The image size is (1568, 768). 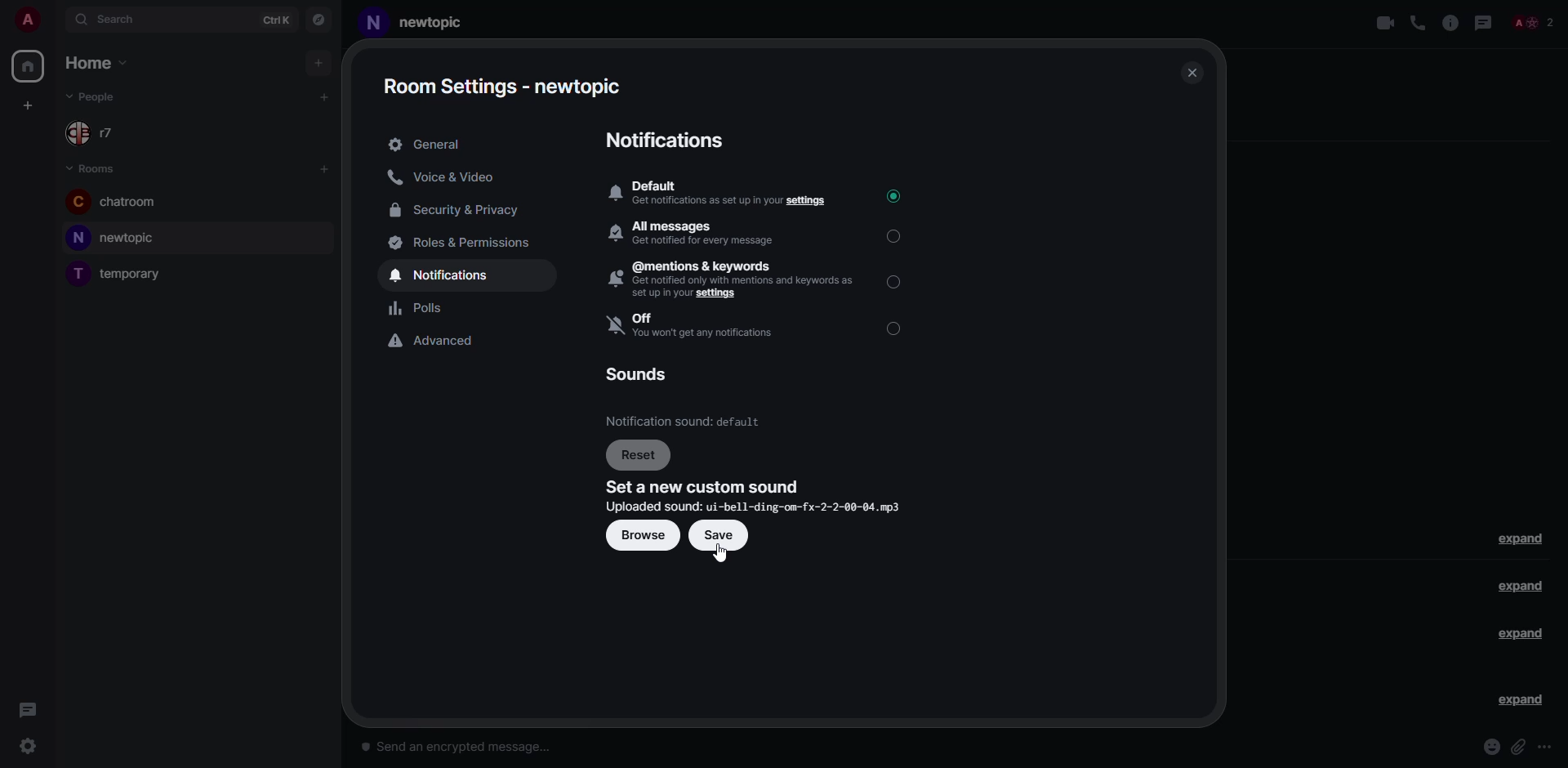 What do you see at coordinates (27, 707) in the screenshot?
I see `threads` at bounding box center [27, 707].